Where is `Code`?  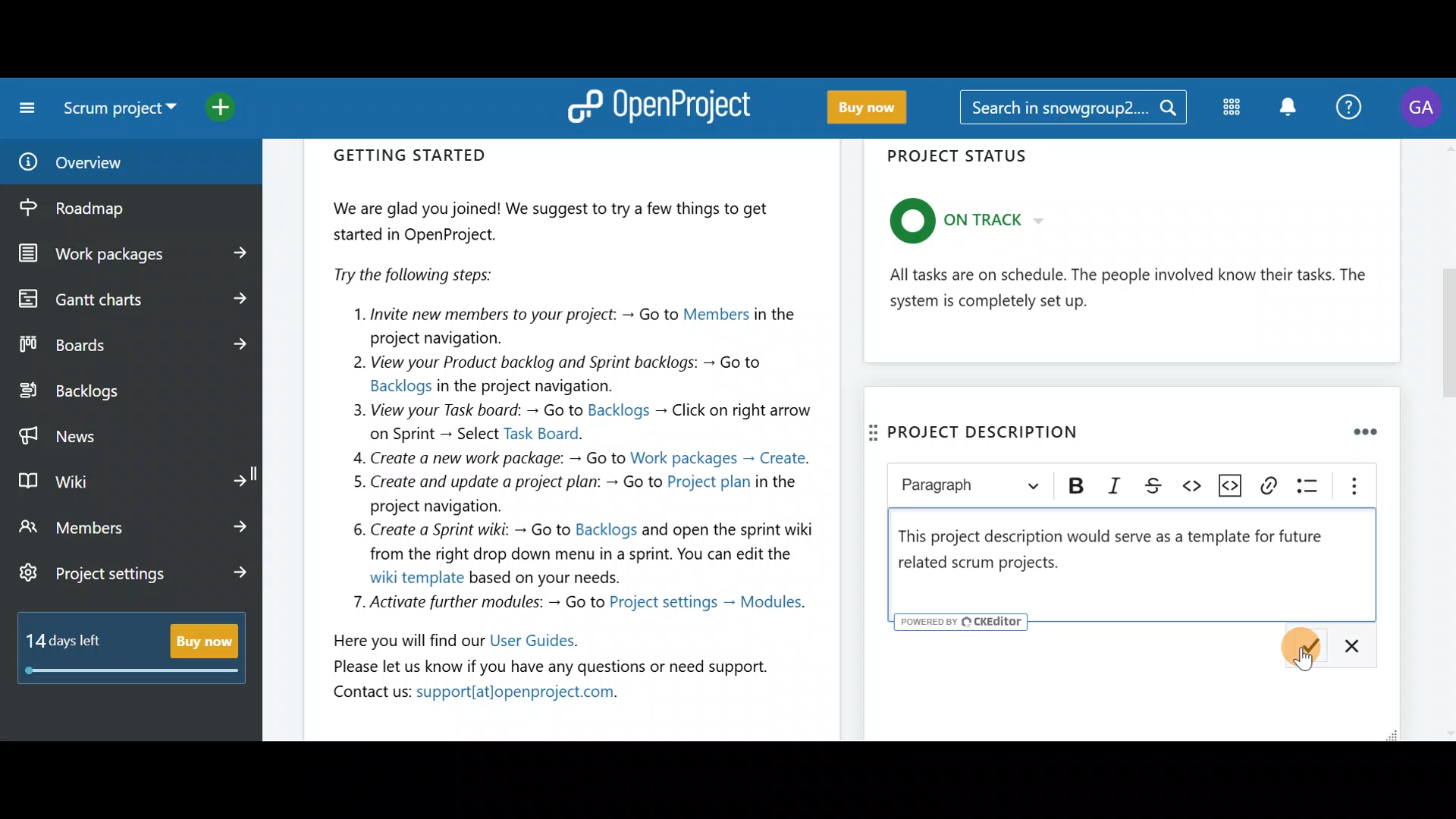 Code is located at coordinates (1186, 485).